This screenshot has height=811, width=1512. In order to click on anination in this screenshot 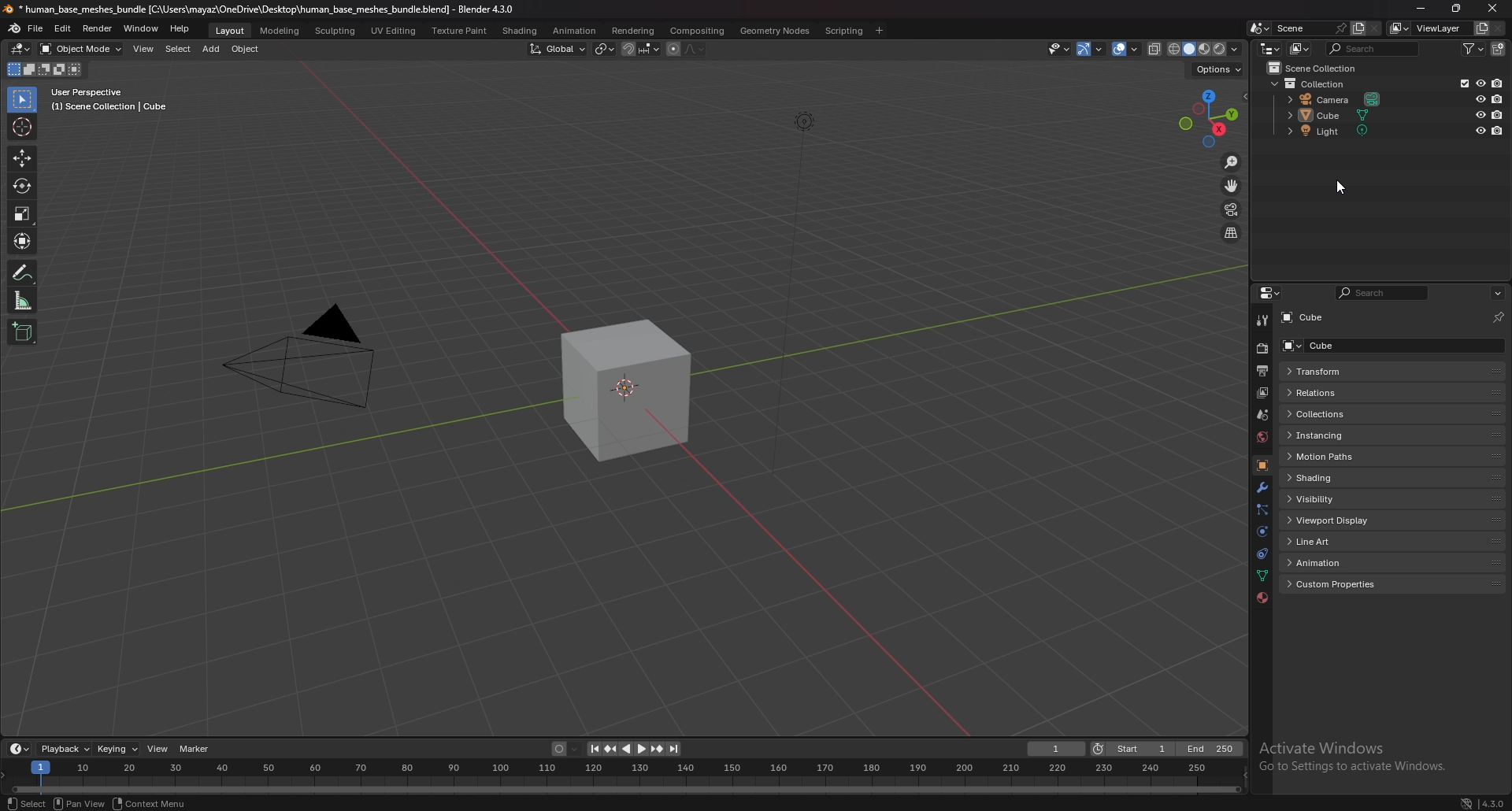, I will do `click(574, 30)`.